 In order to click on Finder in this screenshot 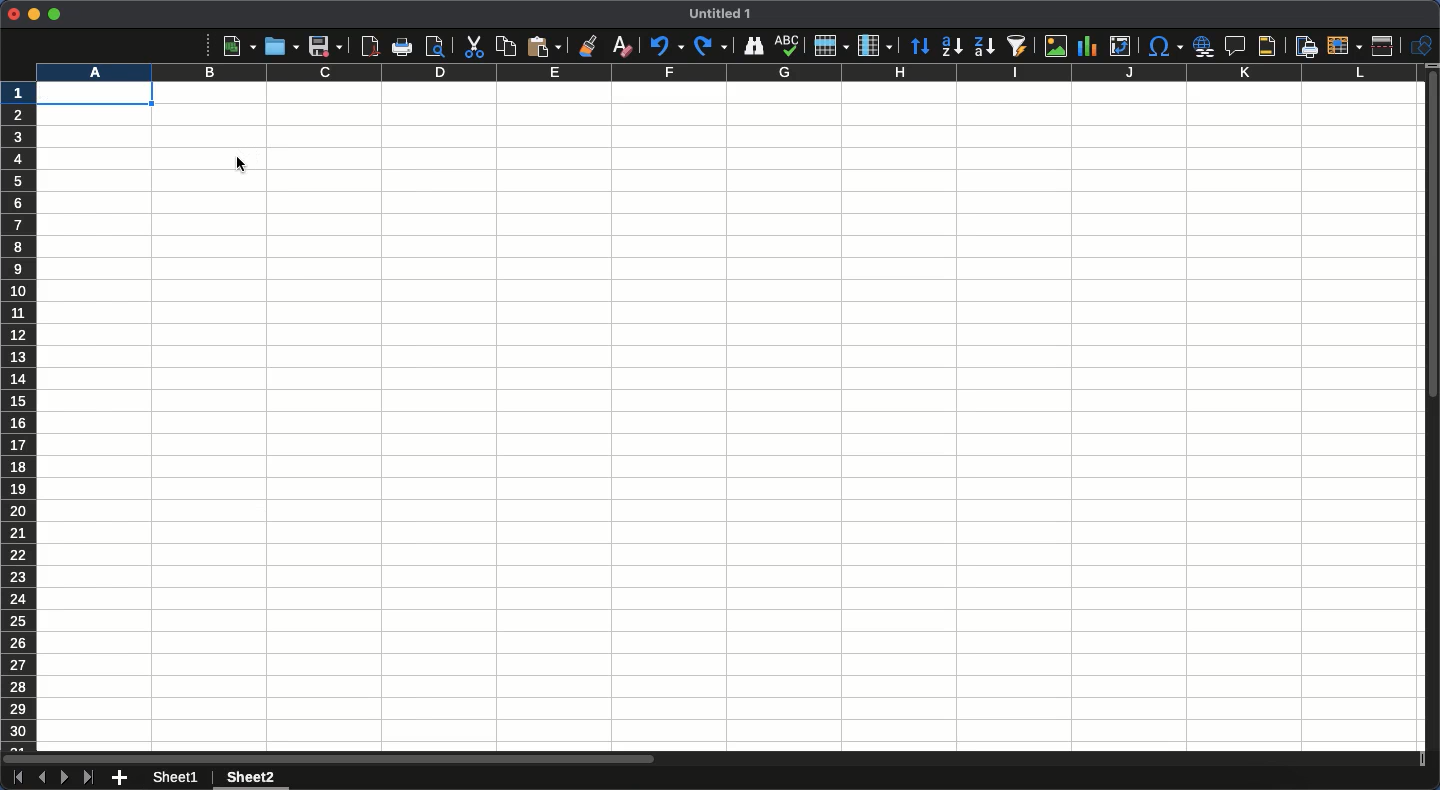, I will do `click(751, 46)`.